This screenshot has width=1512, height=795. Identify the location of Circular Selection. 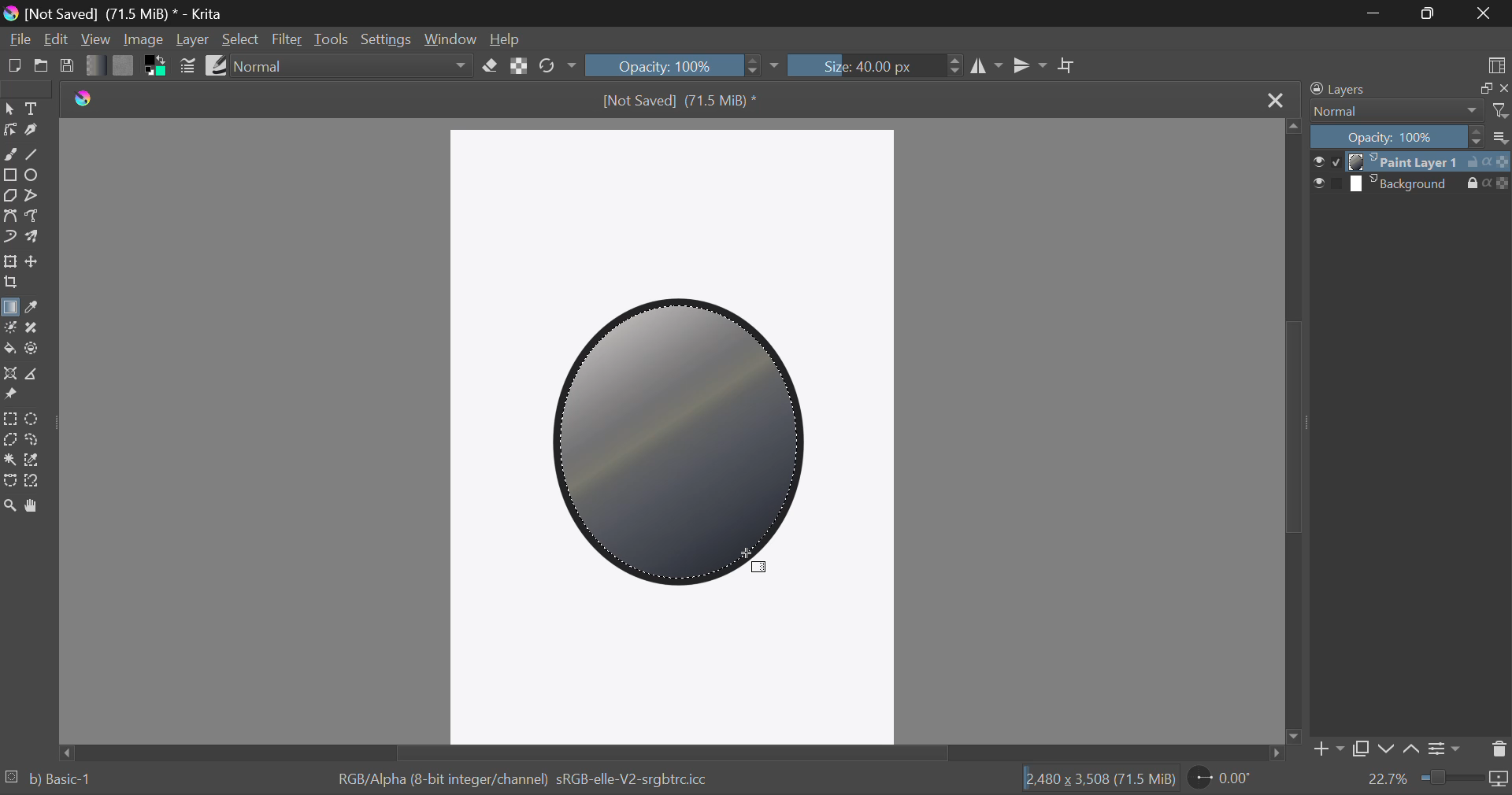
(35, 417).